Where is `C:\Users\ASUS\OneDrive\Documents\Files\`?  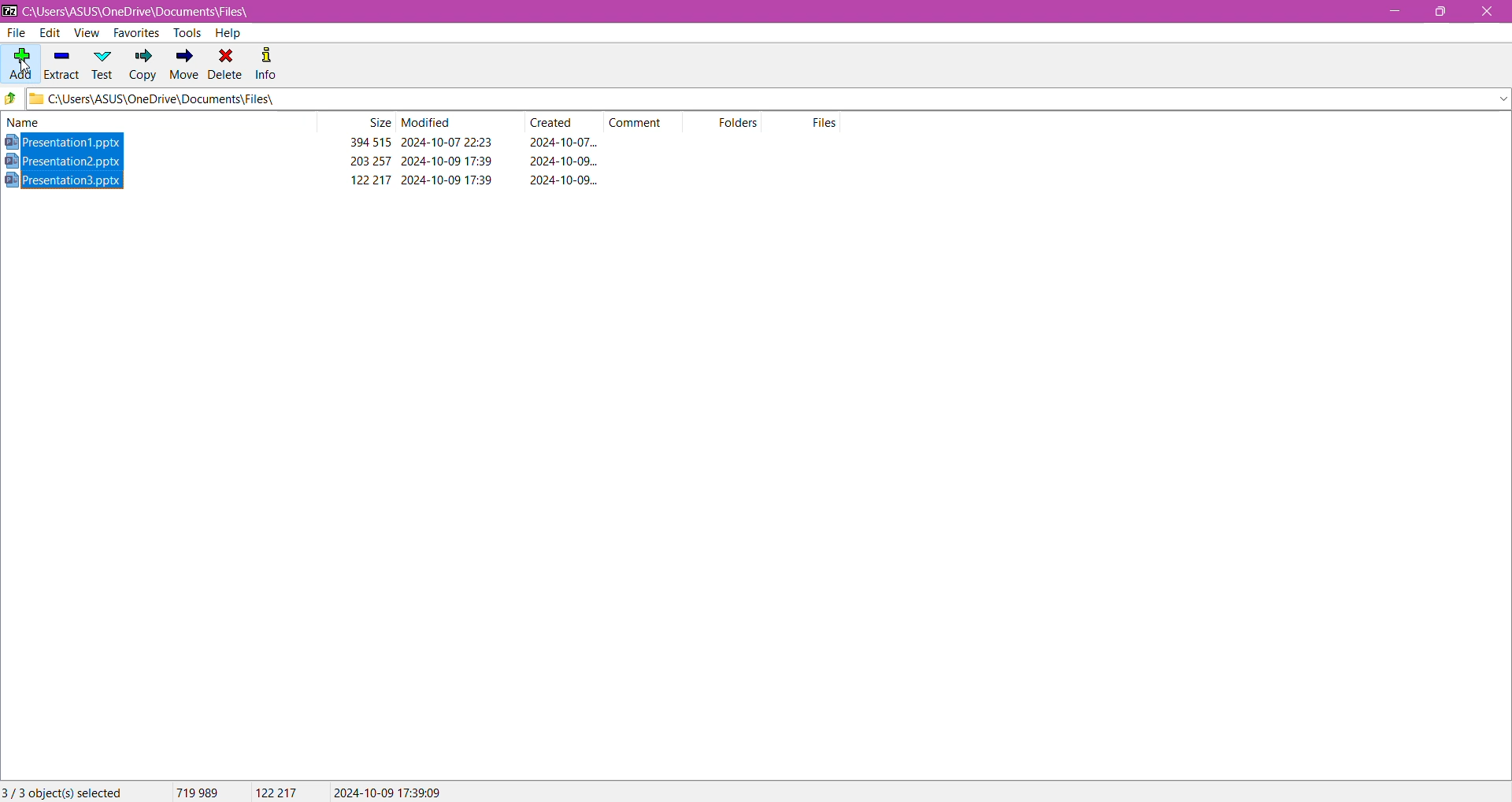 C:\Users\ASUS\OneDrive\Documents\Files\ is located at coordinates (150, 12).